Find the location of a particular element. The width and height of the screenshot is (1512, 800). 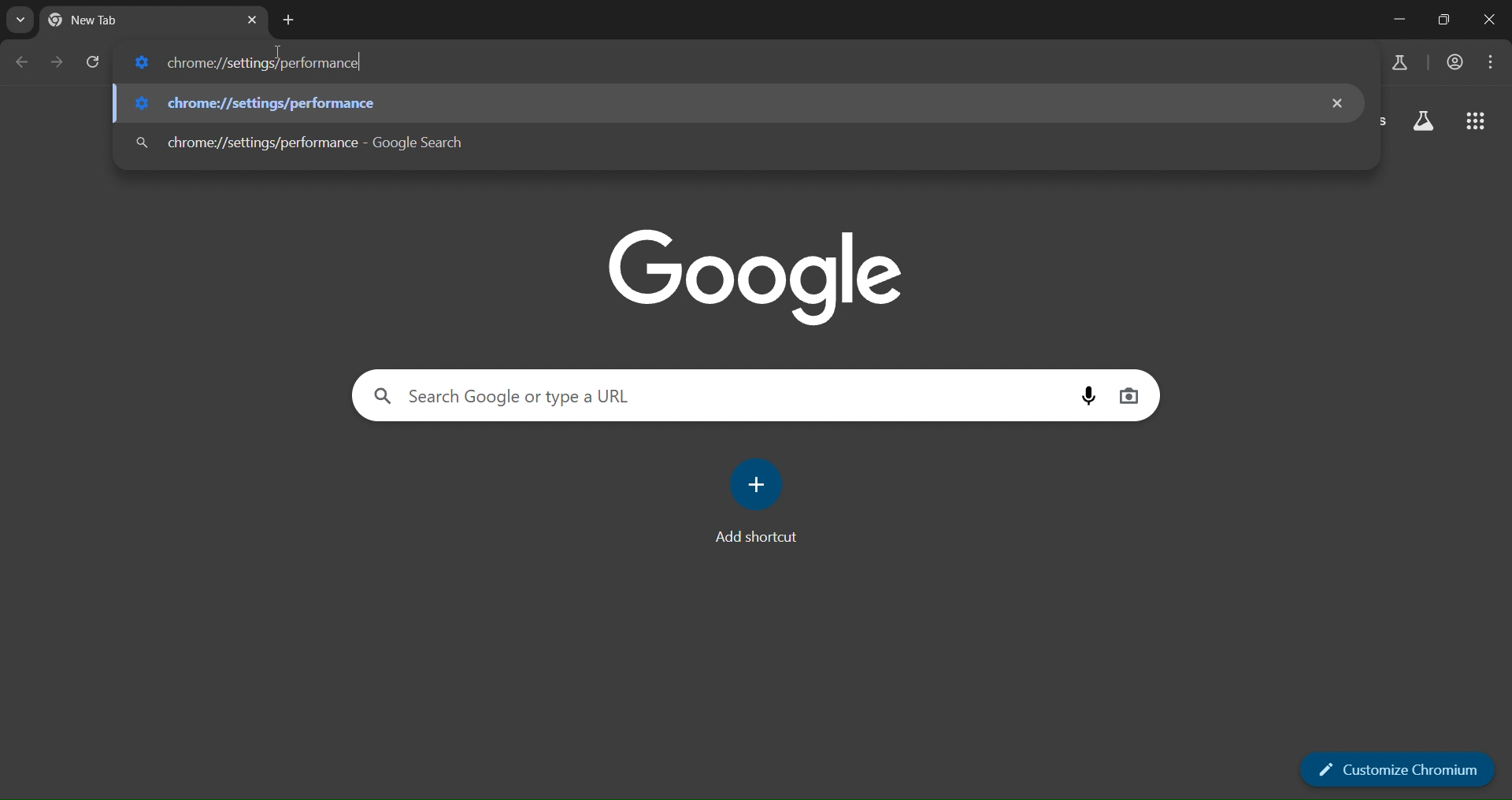

search labs is located at coordinates (1421, 124).